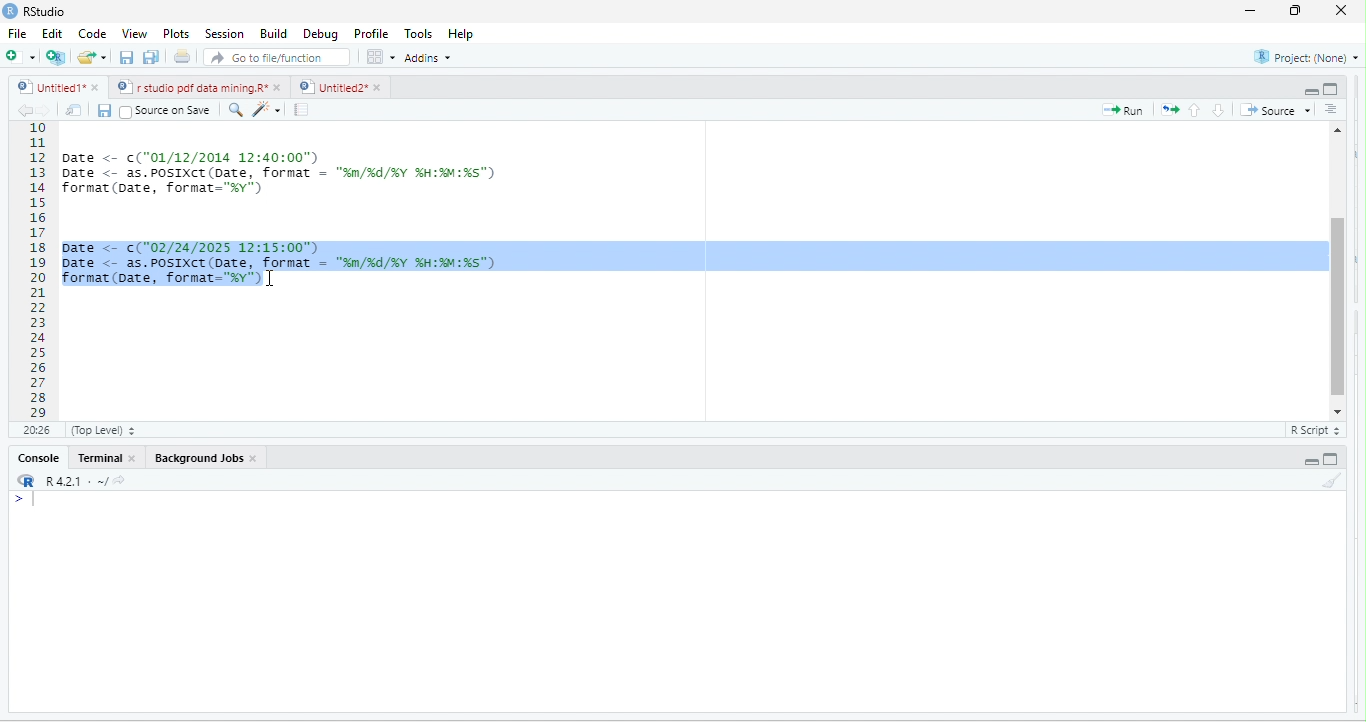 This screenshot has height=722, width=1366. What do you see at coordinates (43, 12) in the screenshot?
I see ` RStudio` at bounding box center [43, 12].